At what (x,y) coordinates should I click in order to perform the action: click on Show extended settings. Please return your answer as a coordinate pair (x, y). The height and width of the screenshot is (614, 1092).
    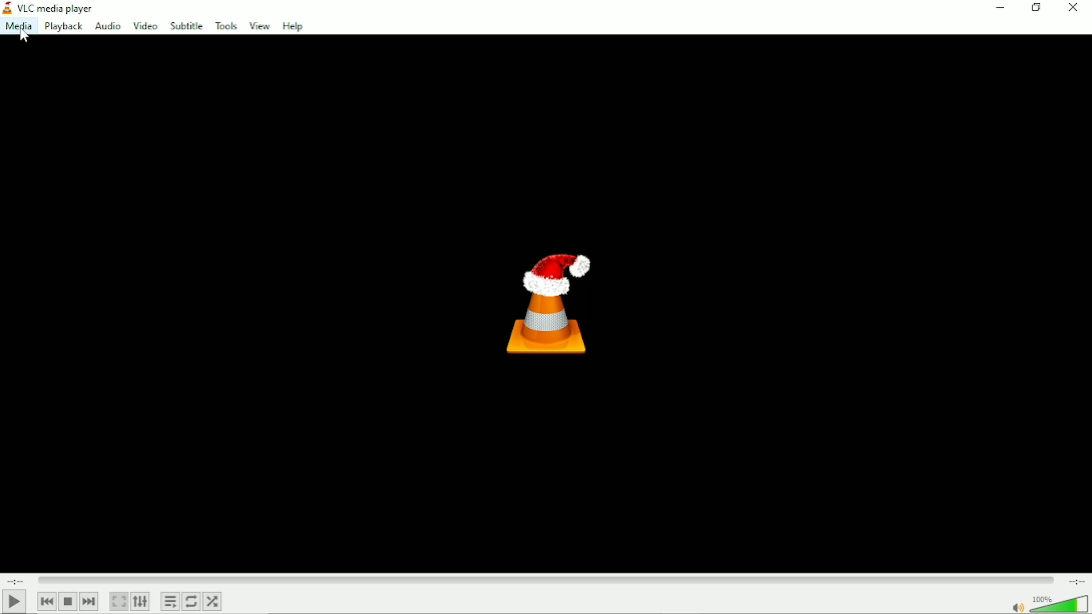
    Looking at the image, I should click on (140, 602).